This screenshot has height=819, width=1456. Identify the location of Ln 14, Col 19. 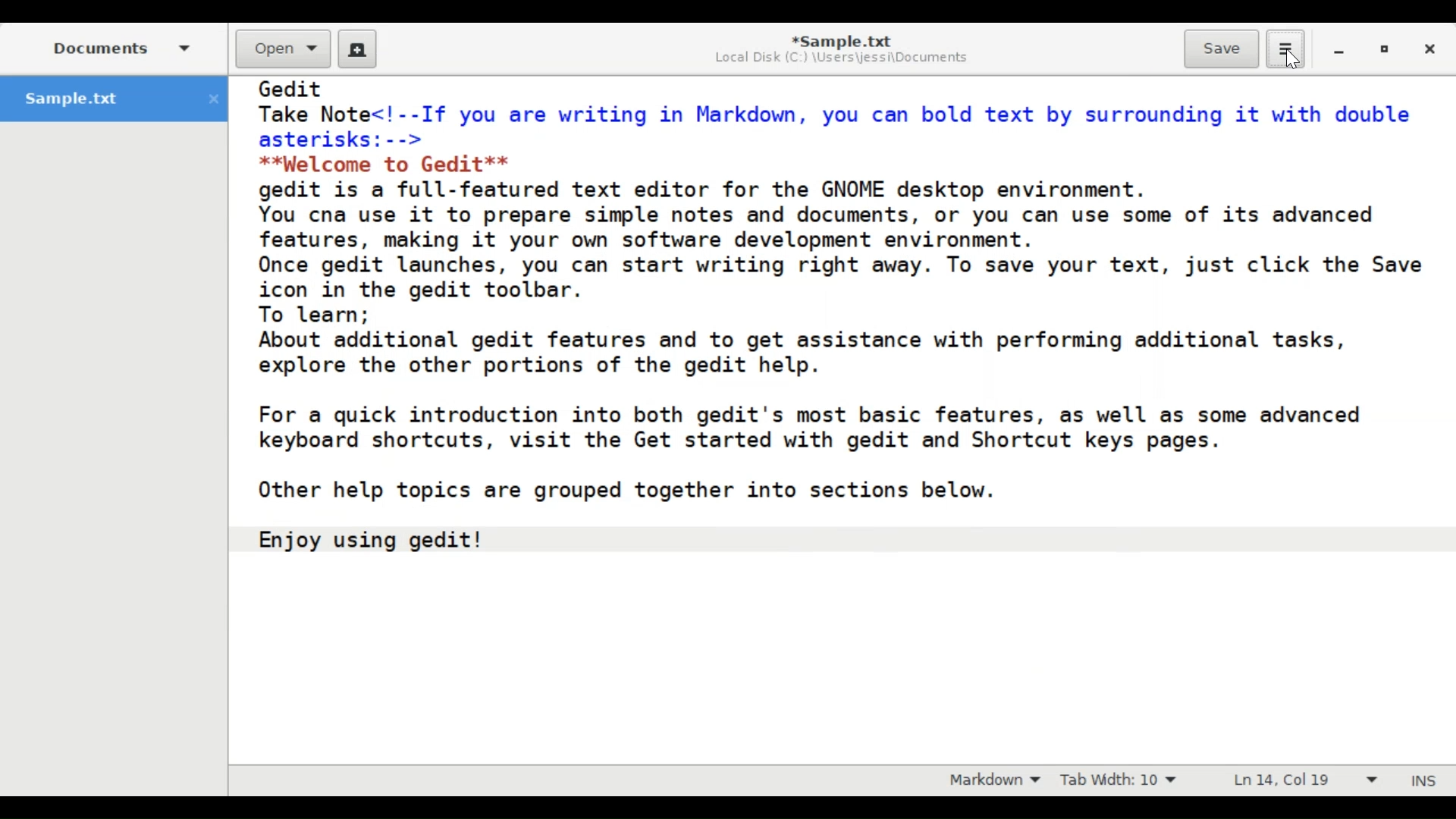
(1303, 780).